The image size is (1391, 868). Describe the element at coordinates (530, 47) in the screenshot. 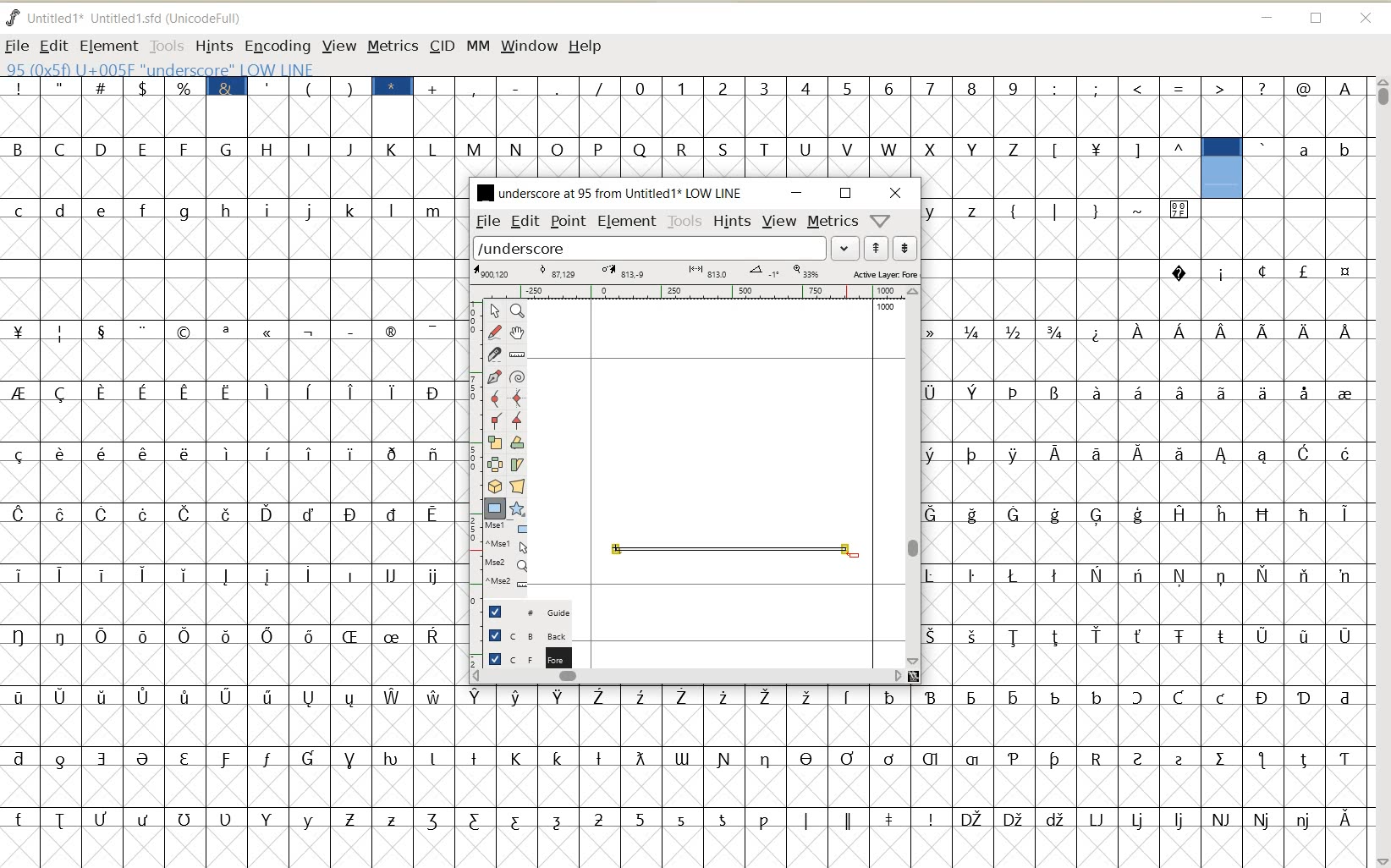

I see `WINDOW` at that location.